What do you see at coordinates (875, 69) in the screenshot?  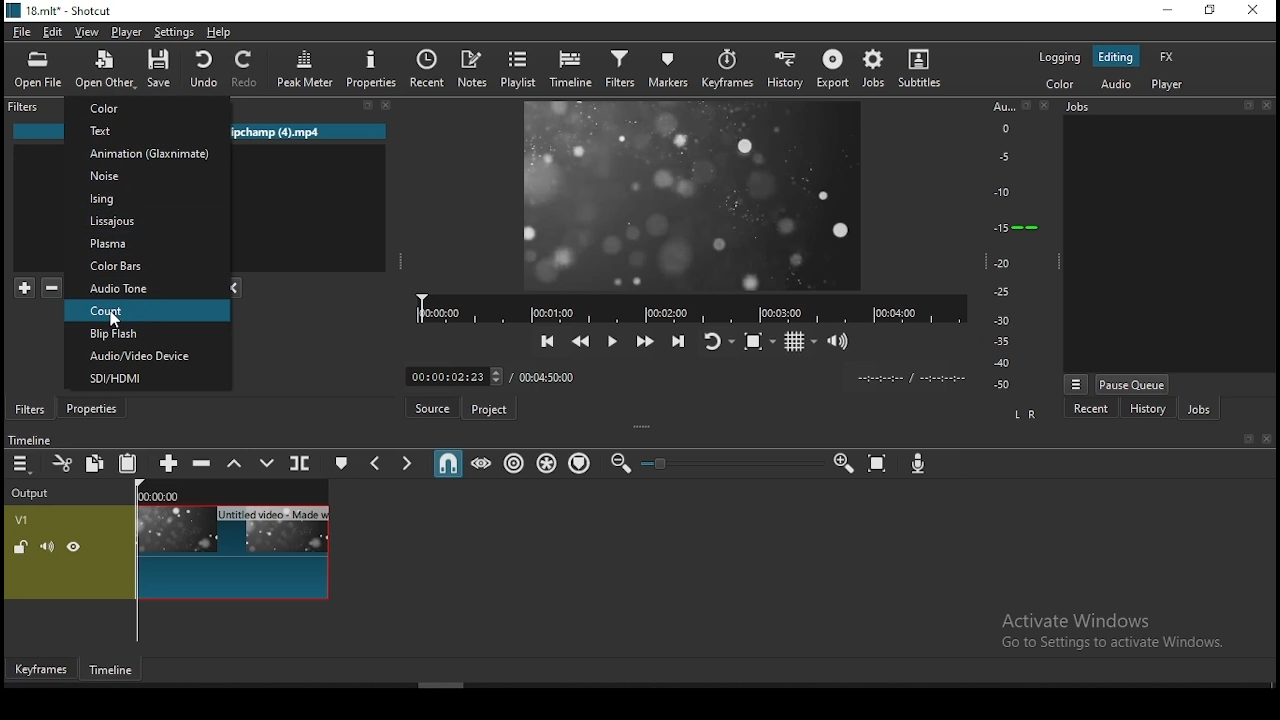 I see `jobs` at bounding box center [875, 69].